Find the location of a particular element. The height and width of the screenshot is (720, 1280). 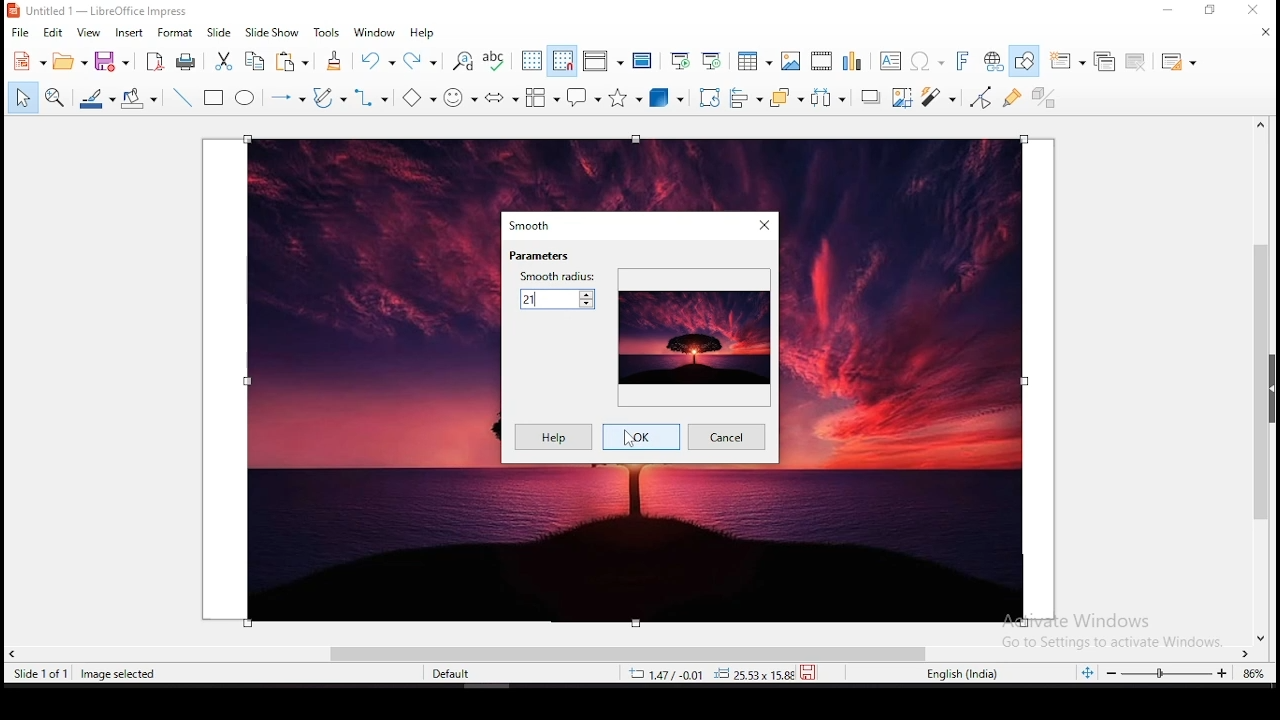

cancel is located at coordinates (729, 438).